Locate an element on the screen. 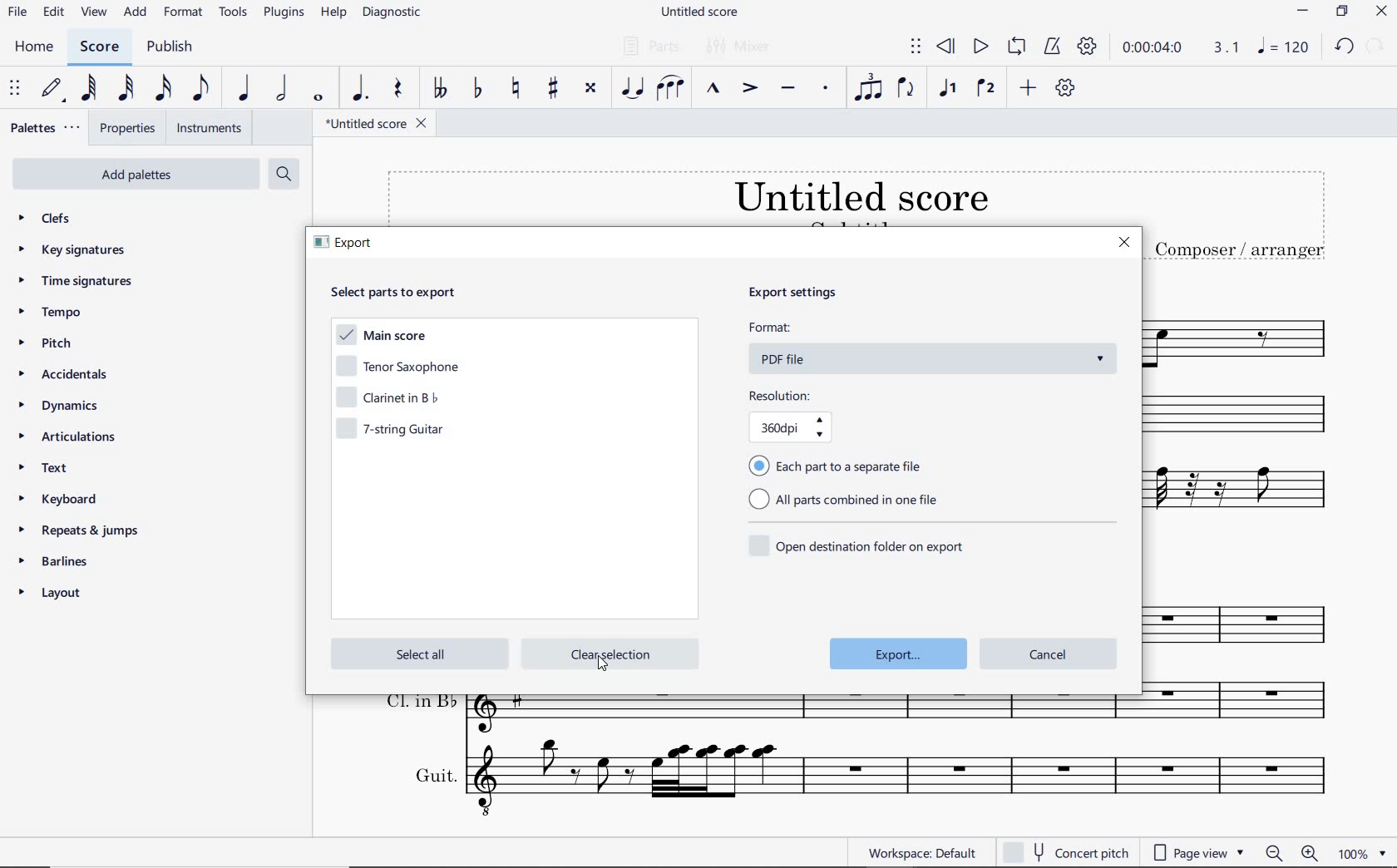 The image size is (1397, 868). REDO is located at coordinates (1376, 45).